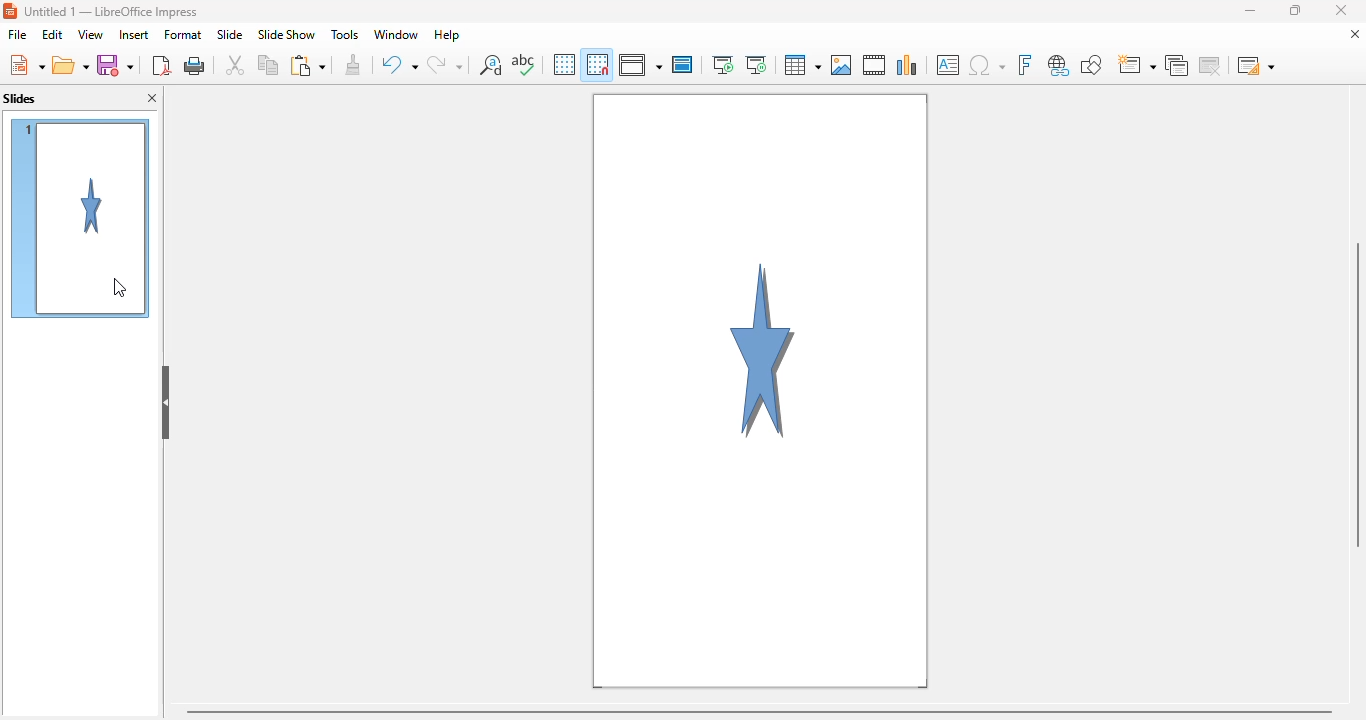  Describe the element at coordinates (81, 220) in the screenshot. I see `slide 1` at that location.